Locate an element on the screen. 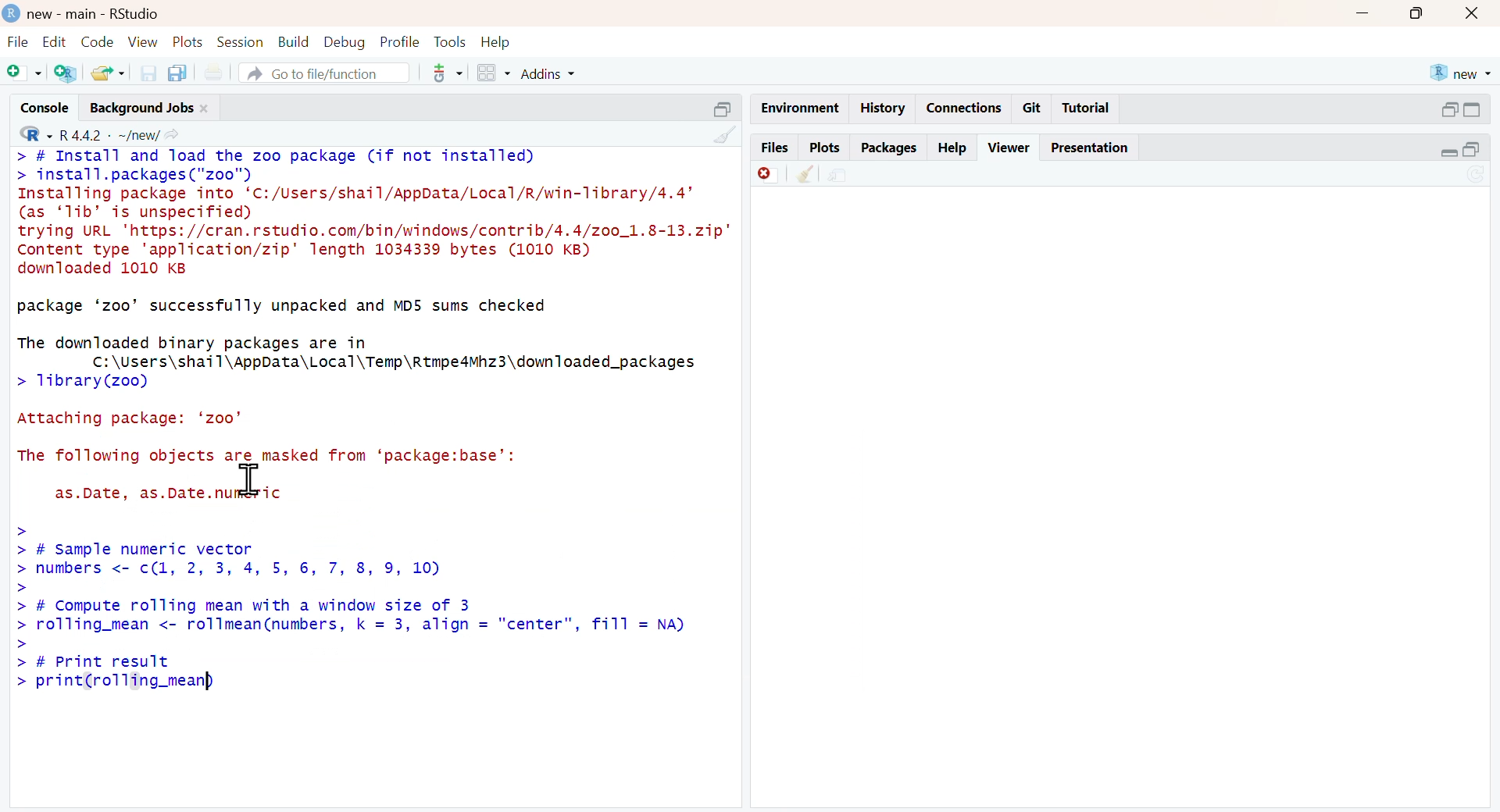 The image size is (1500, 812). file is located at coordinates (18, 41).